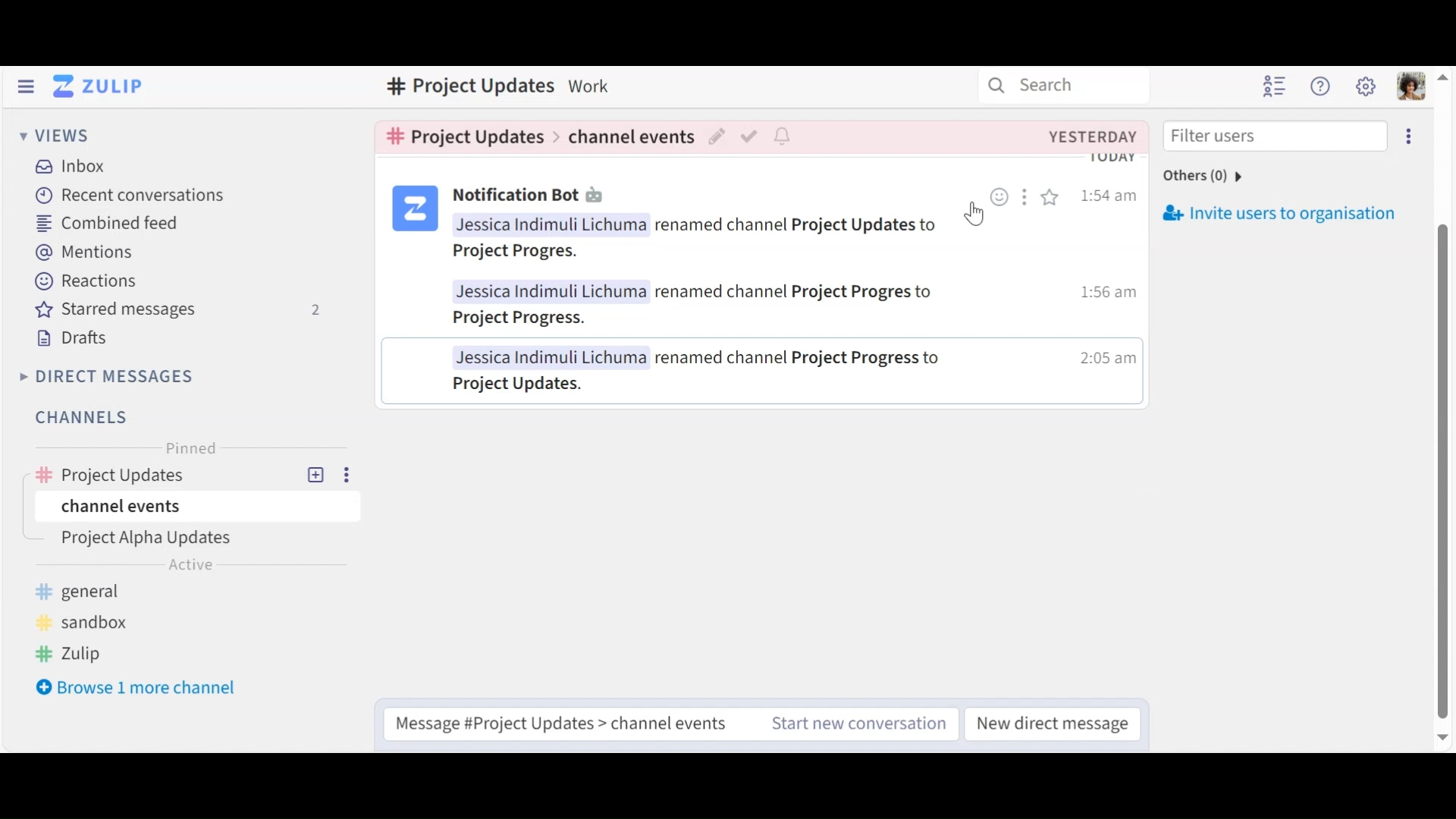 This screenshot has width=1456, height=819. I want to click on Notification bot, so click(532, 196).